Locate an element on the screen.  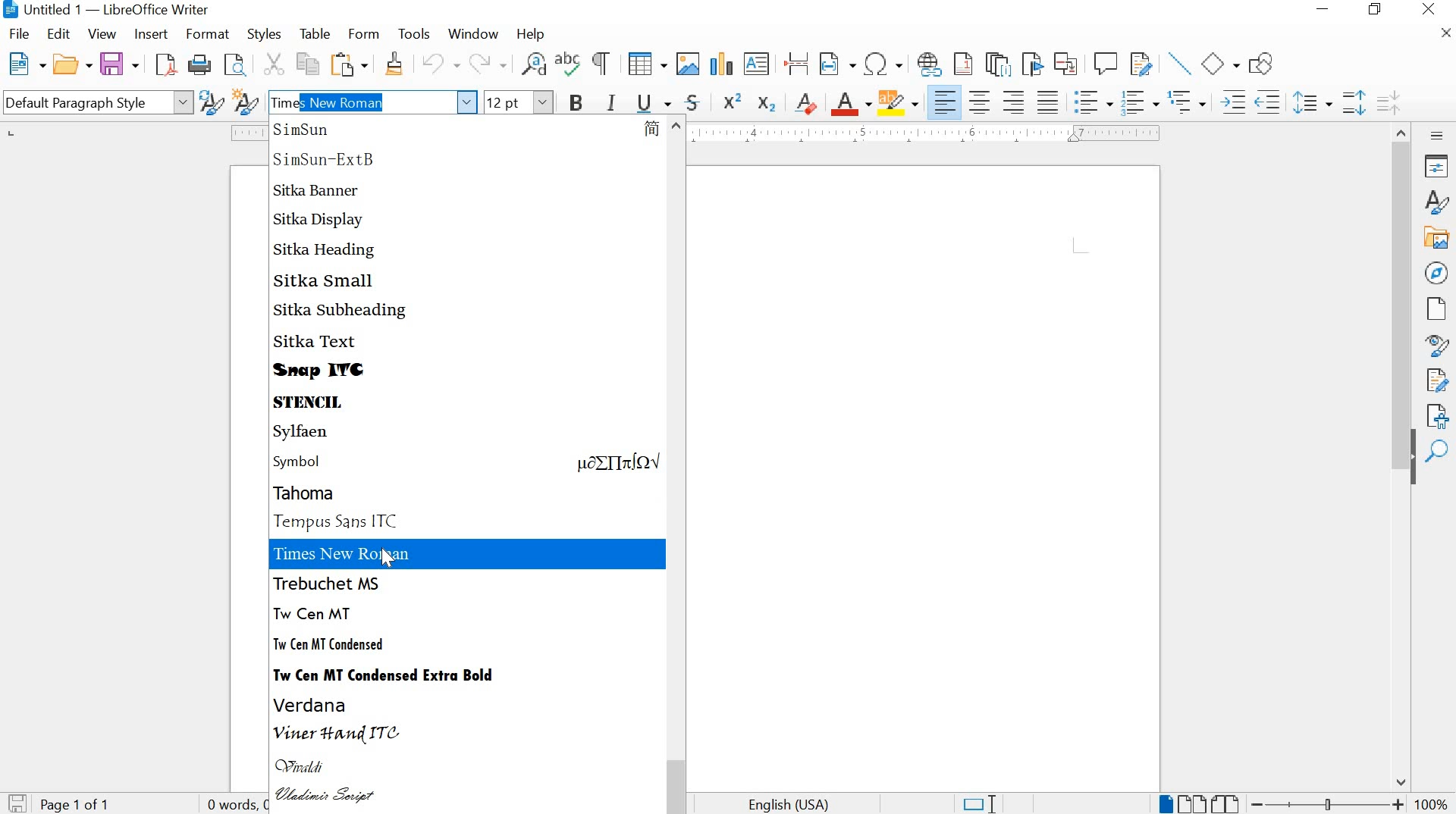
PRINT is located at coordinates (199, 65).